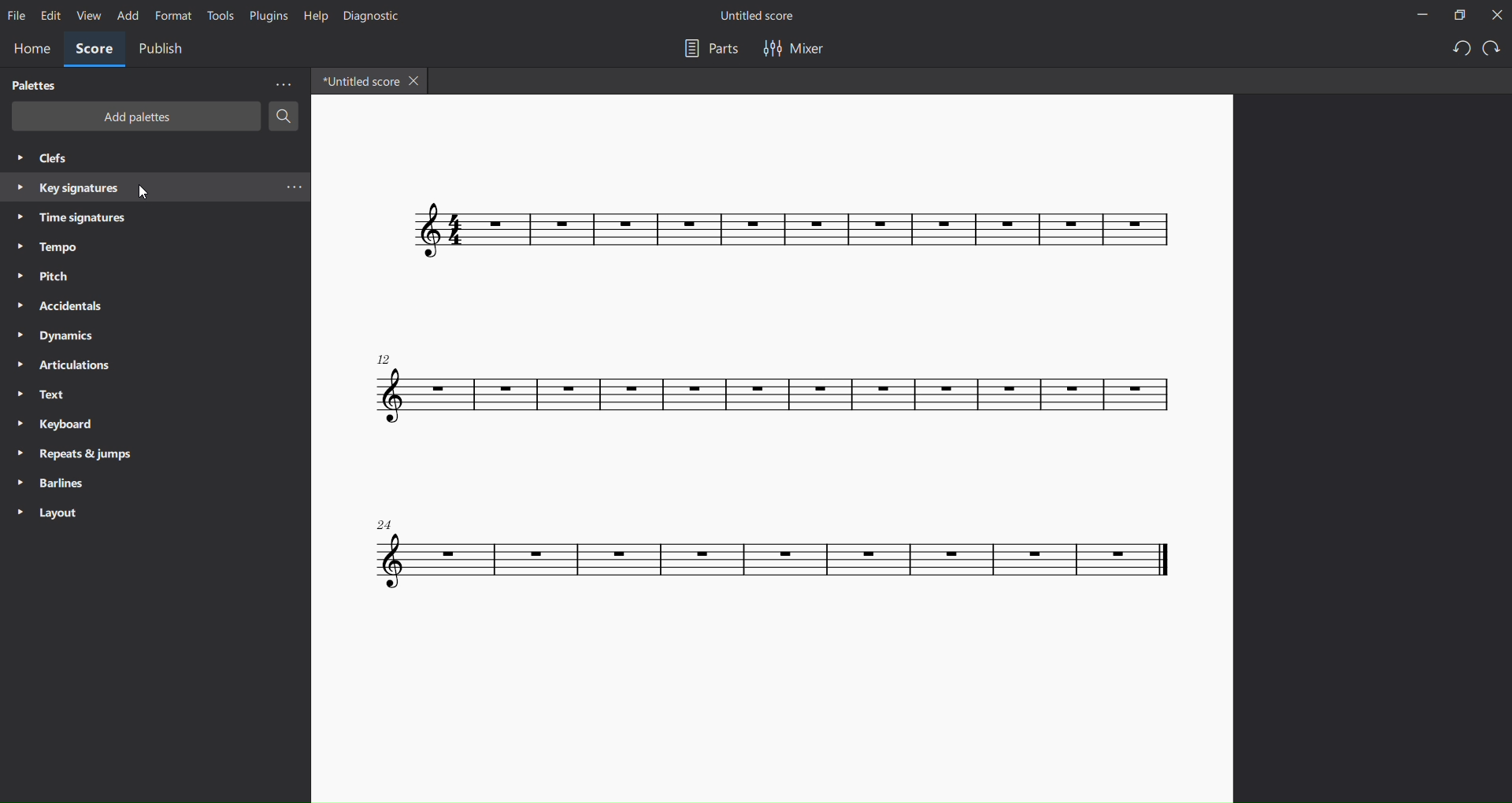  I want to click on title, so click(757, 17).